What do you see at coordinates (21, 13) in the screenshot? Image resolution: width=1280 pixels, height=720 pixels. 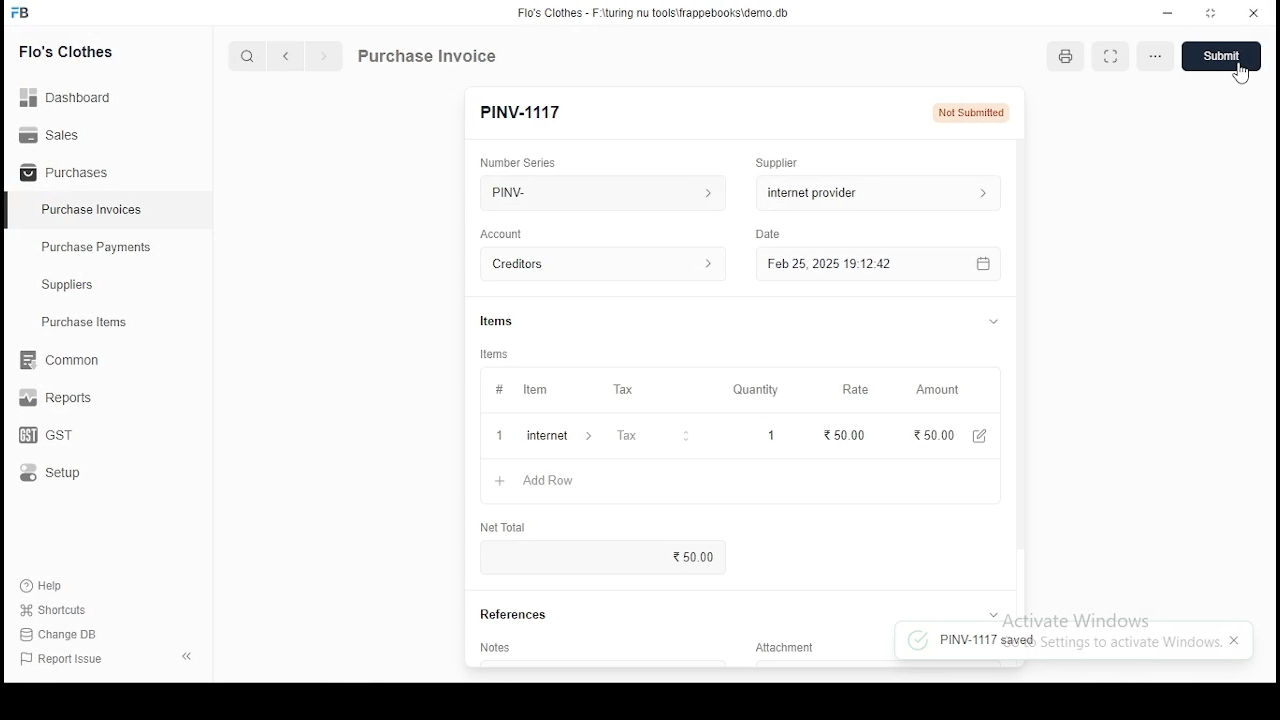 I see `icon` at bounding box center [21, 13].